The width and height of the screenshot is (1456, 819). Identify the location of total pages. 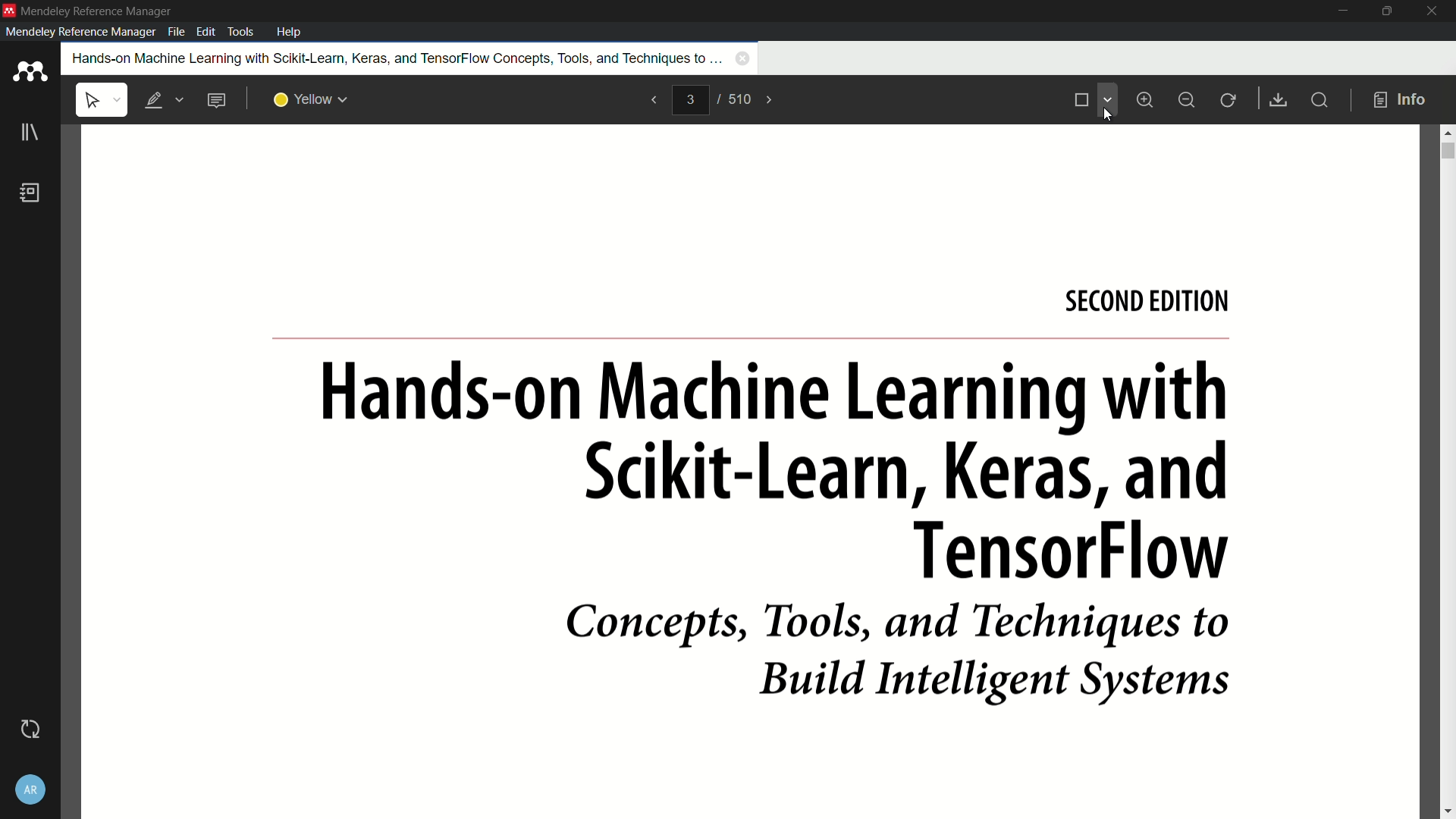
(740, 100).